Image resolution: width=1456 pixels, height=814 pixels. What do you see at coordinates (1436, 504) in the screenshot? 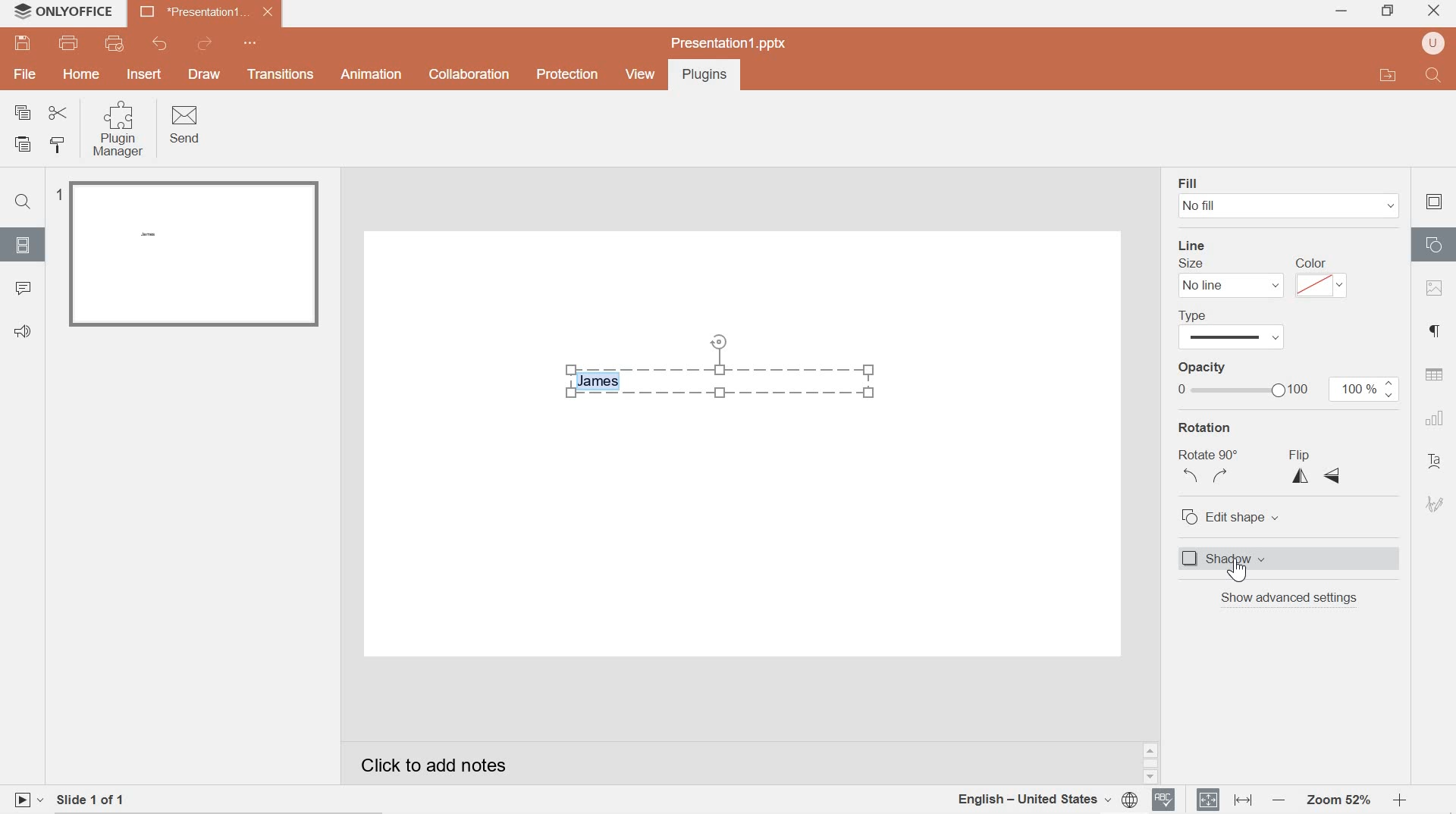
I see `signature` at bounding box center [1436, 504].